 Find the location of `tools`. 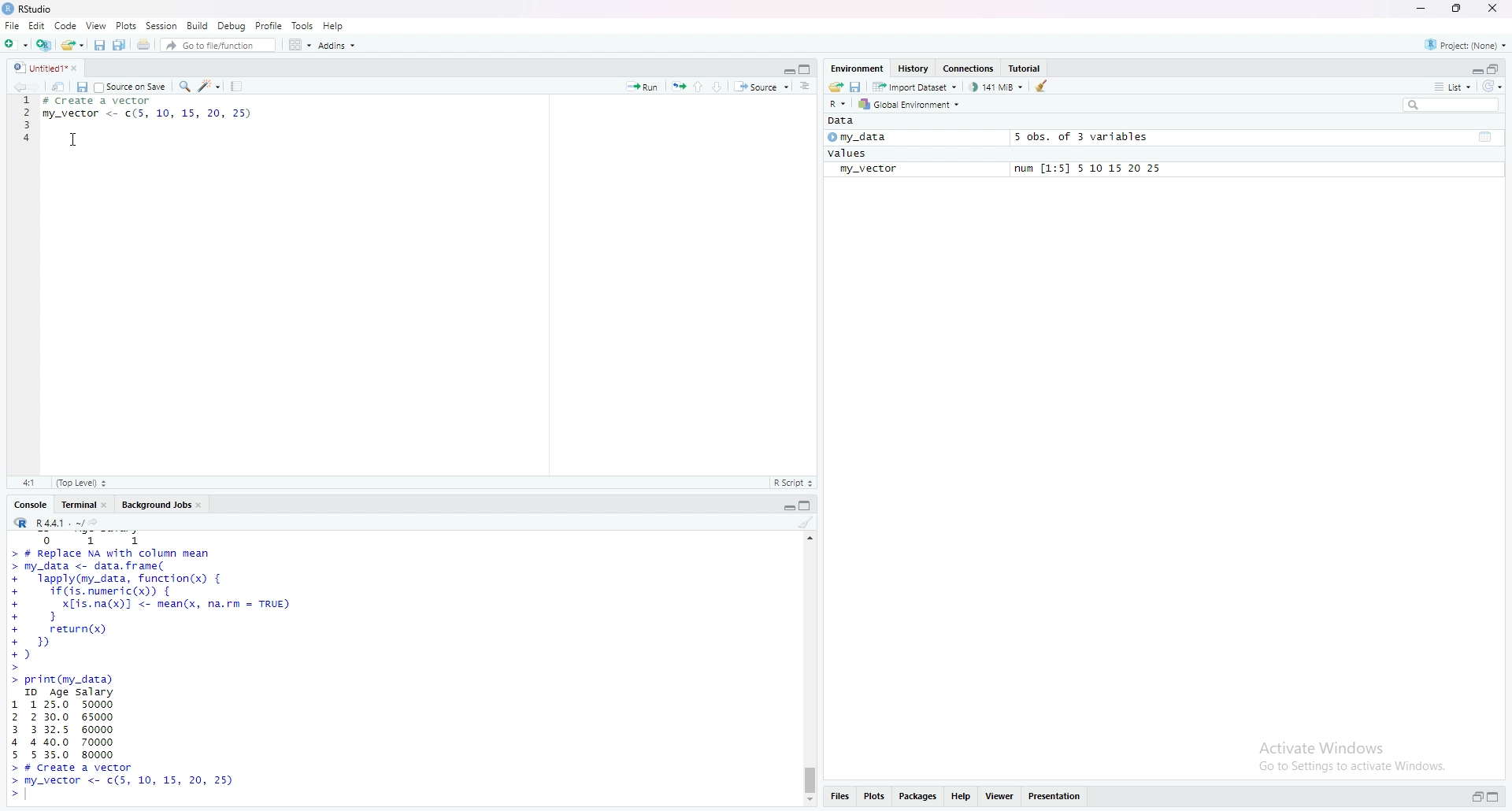

tools is located at coordinates (303, 24).